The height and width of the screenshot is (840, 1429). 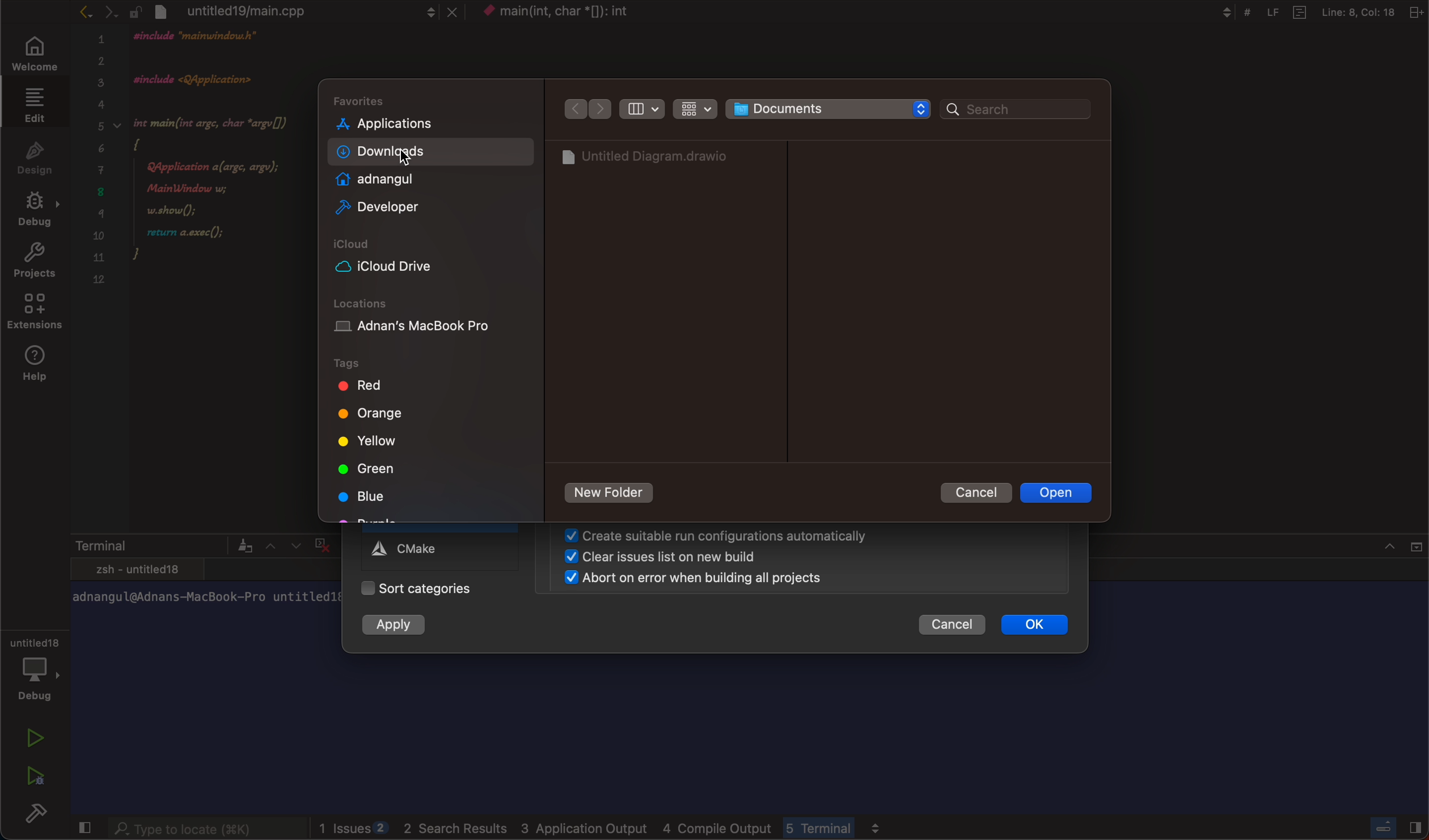 I want to click on search, so click(x=1016, y=110).